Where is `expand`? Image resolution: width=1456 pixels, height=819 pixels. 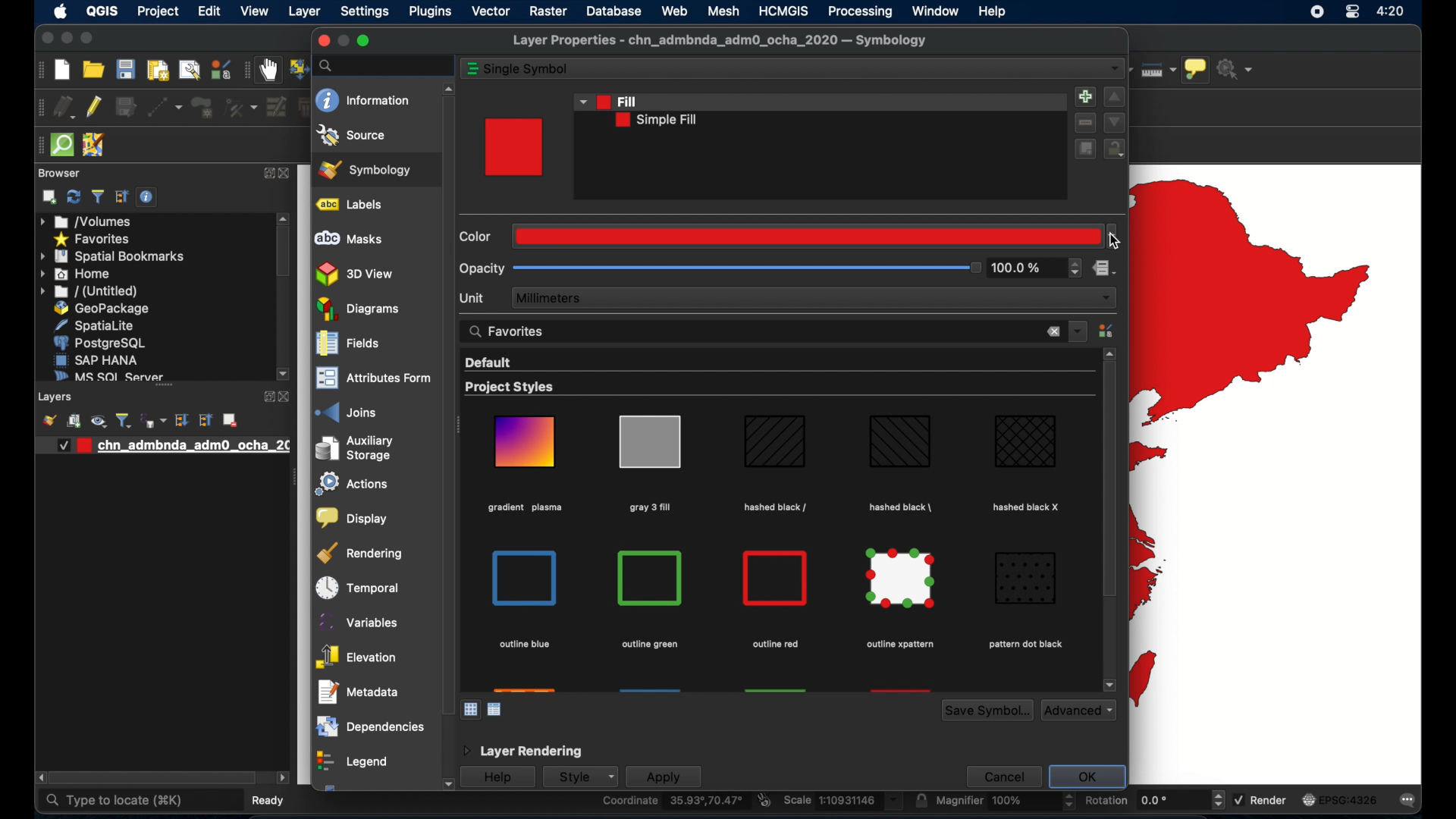
expand is located at coordinates (268, 174).